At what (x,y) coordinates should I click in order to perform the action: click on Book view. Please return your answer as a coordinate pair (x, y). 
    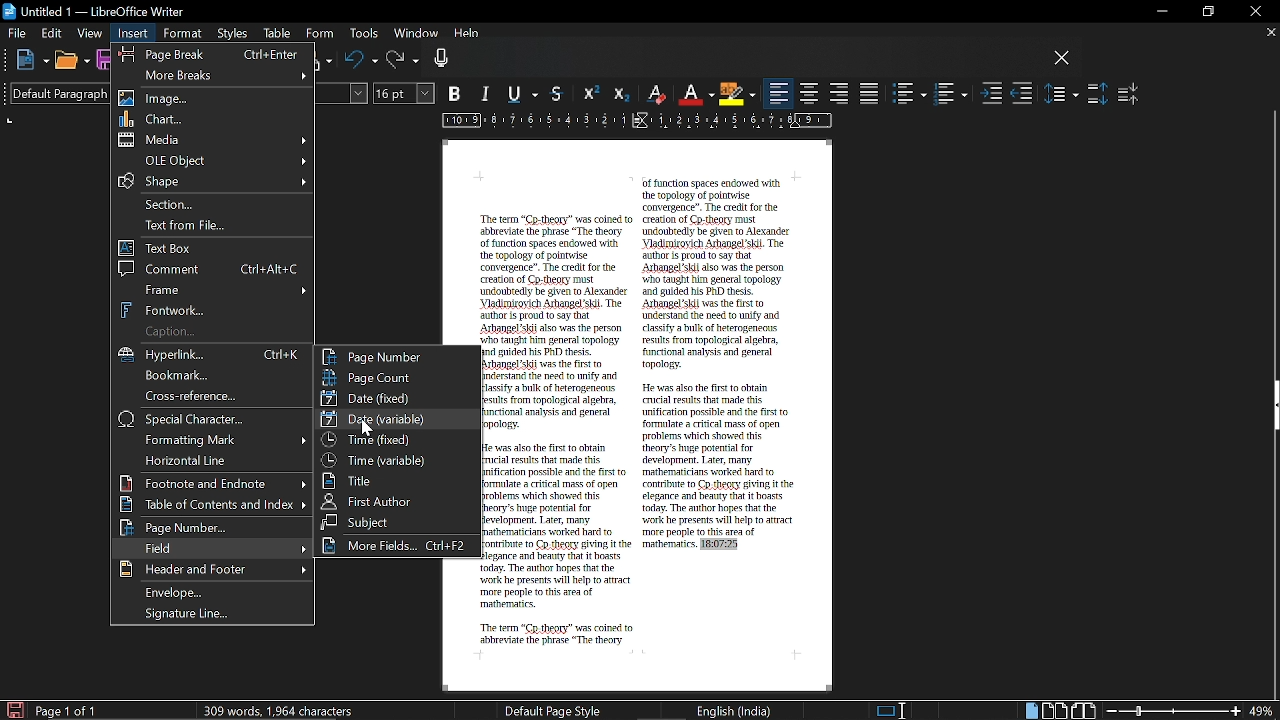
    Looking at the image, I should click on (1085, 710).